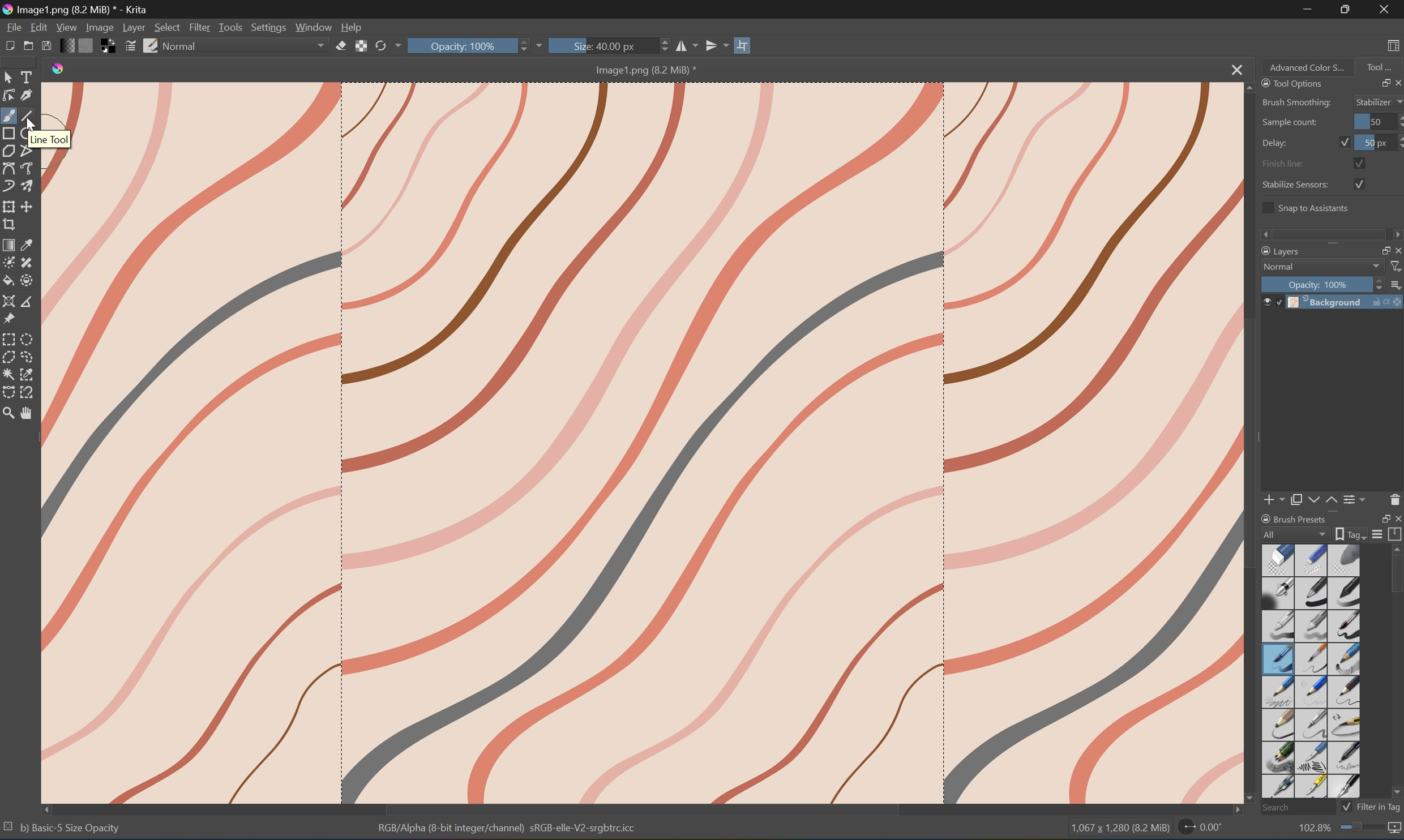 The width and height of the screenshot is (1404, 840). Describe the element at coordinates (70, 46) in the screenshot. I see `Fill gradients` at that location.